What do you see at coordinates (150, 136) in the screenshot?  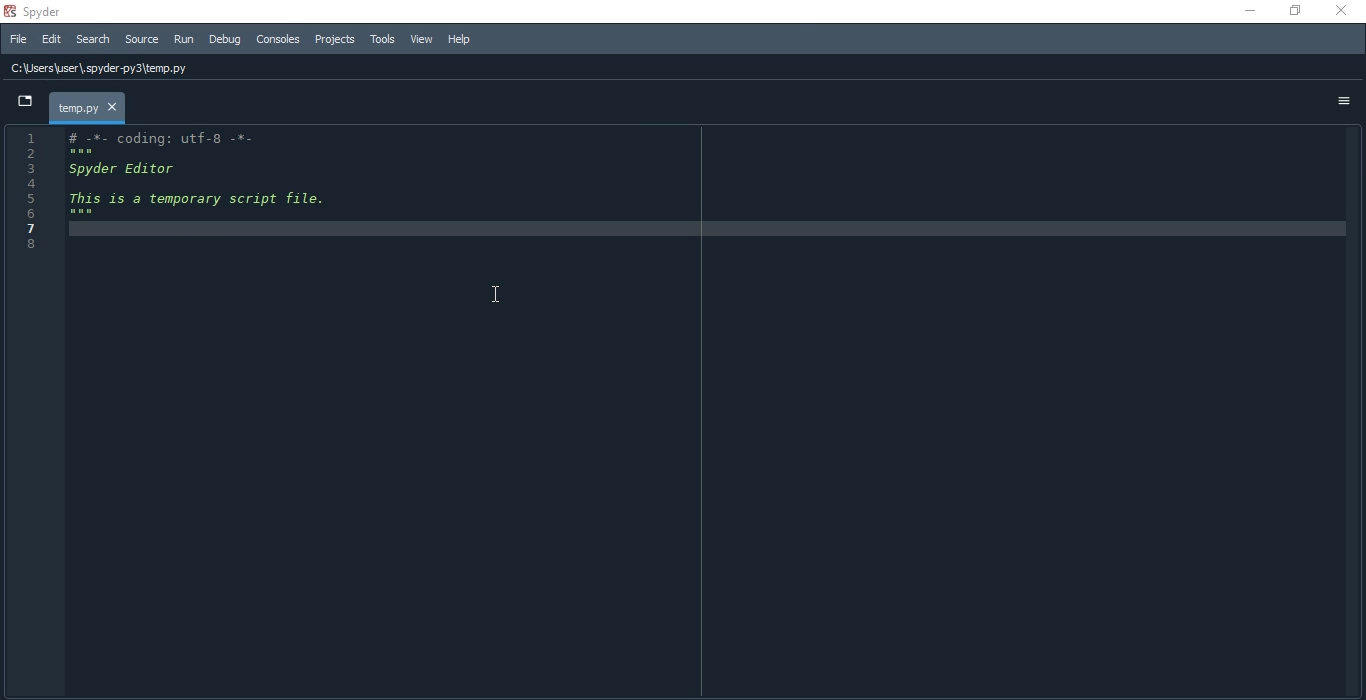 I see `1  # -*- coding: utf-8 -*-` at bounding box center [150, 136].